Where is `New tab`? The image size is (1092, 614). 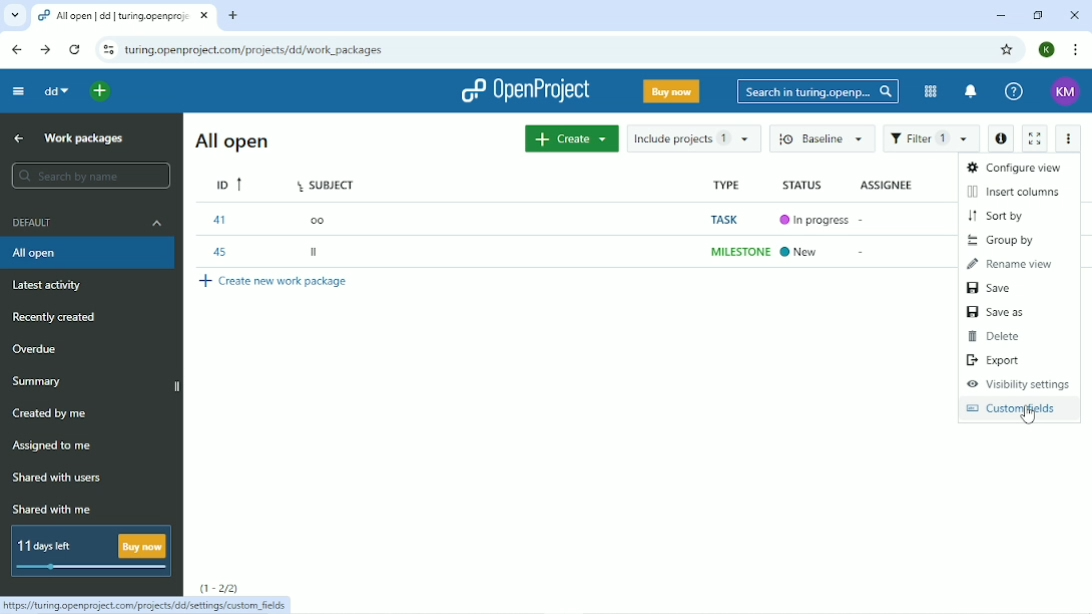
New tab is located at coordinates (235, 16).